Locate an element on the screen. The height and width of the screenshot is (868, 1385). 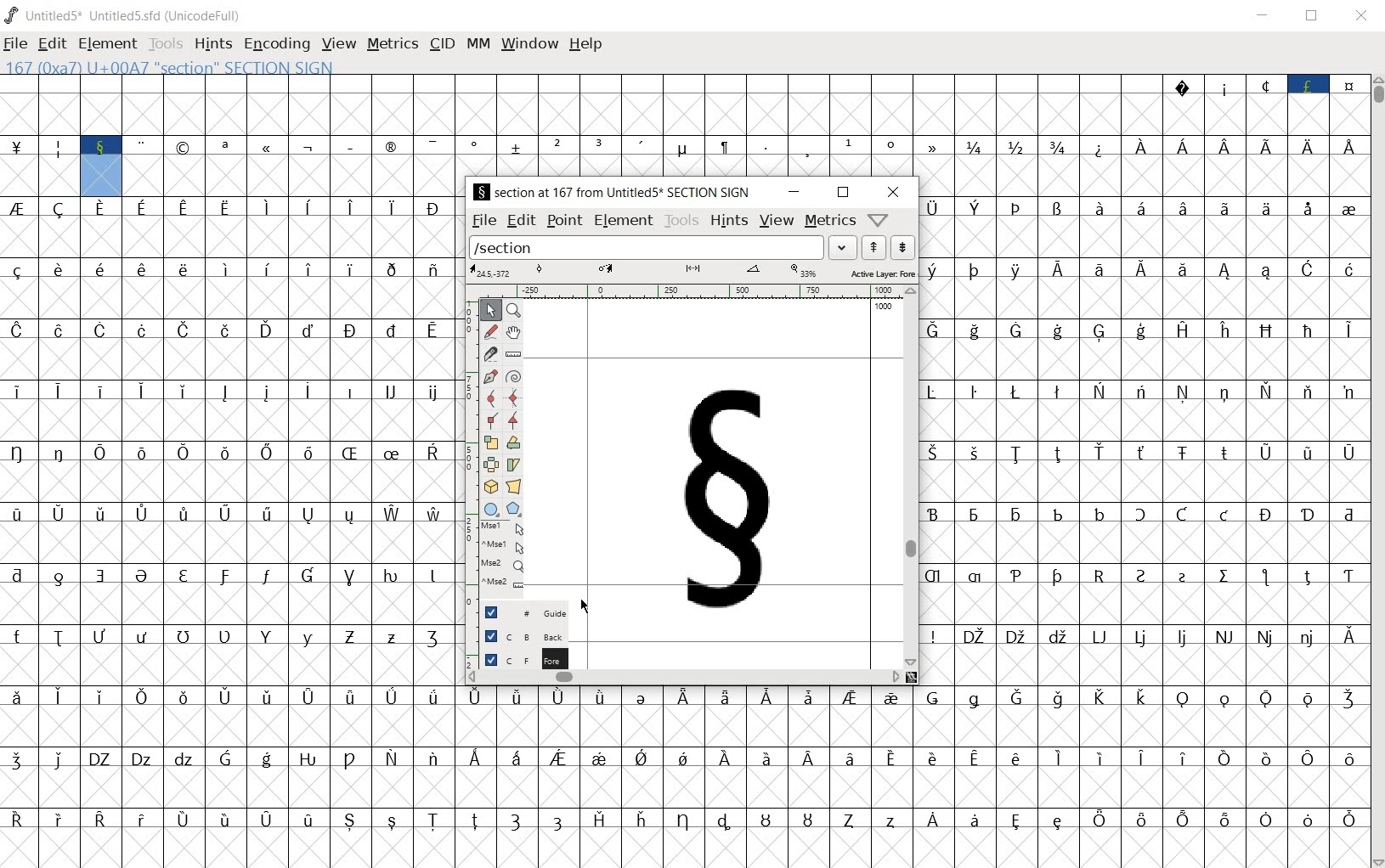
add a curve point always either horizontal or vertical is located at coordinates (515, 397).